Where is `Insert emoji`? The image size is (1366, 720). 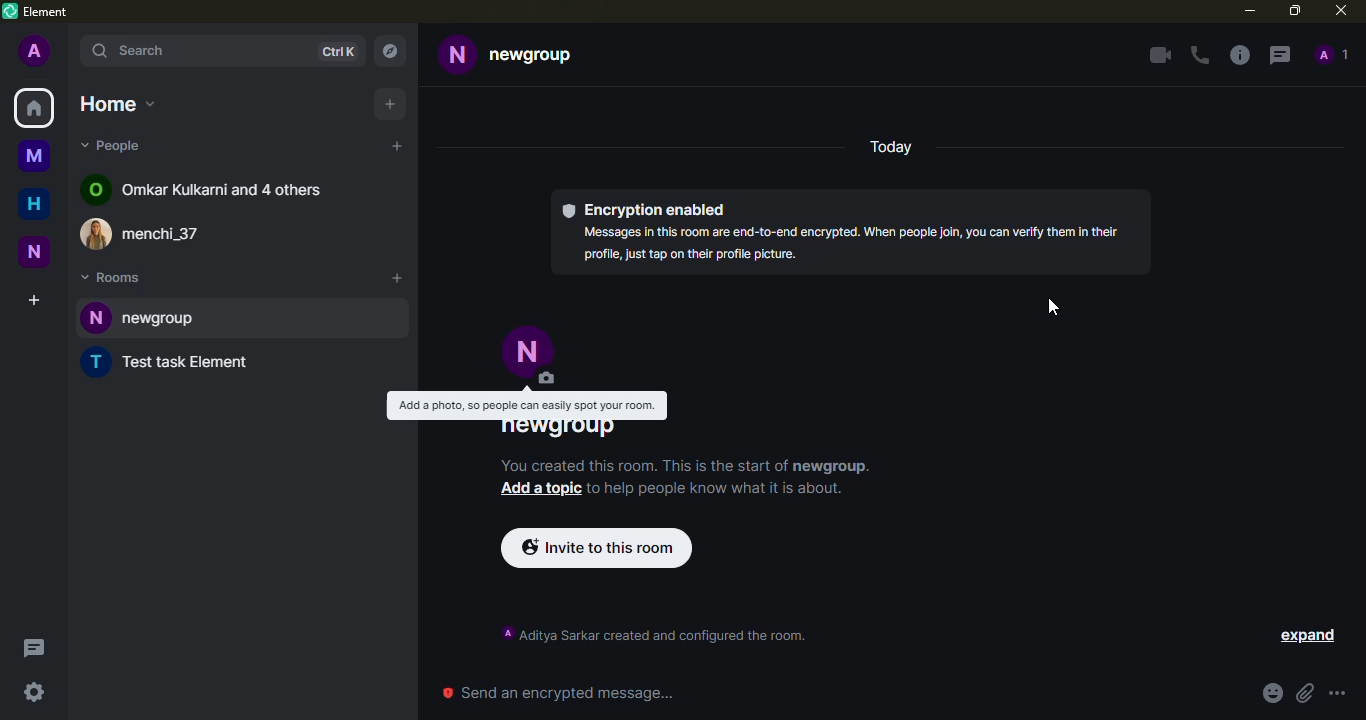 Insert emoji is located at coordinates (1273, 693).